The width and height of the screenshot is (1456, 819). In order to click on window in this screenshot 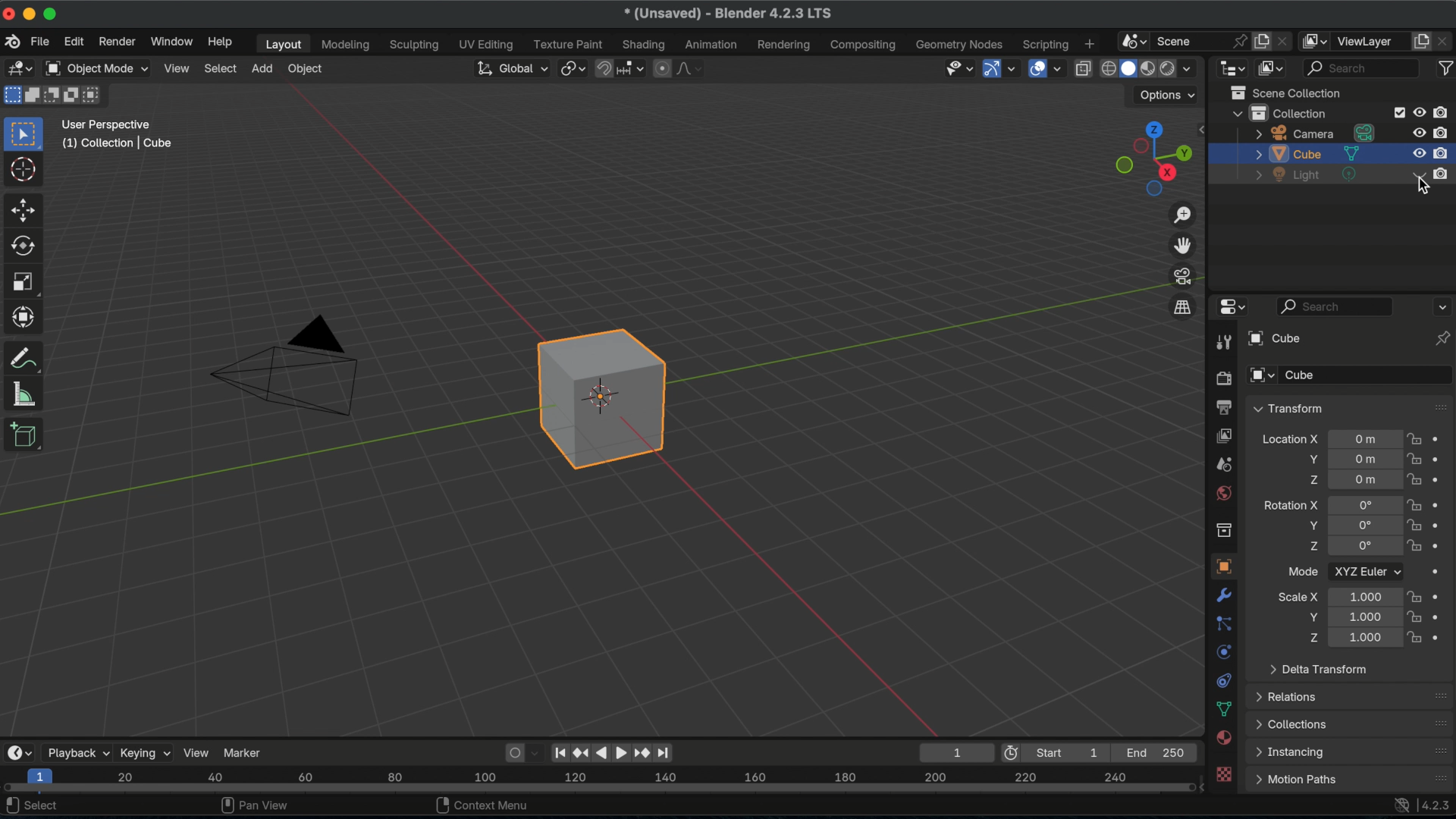, I will do `click(174, 40)`.